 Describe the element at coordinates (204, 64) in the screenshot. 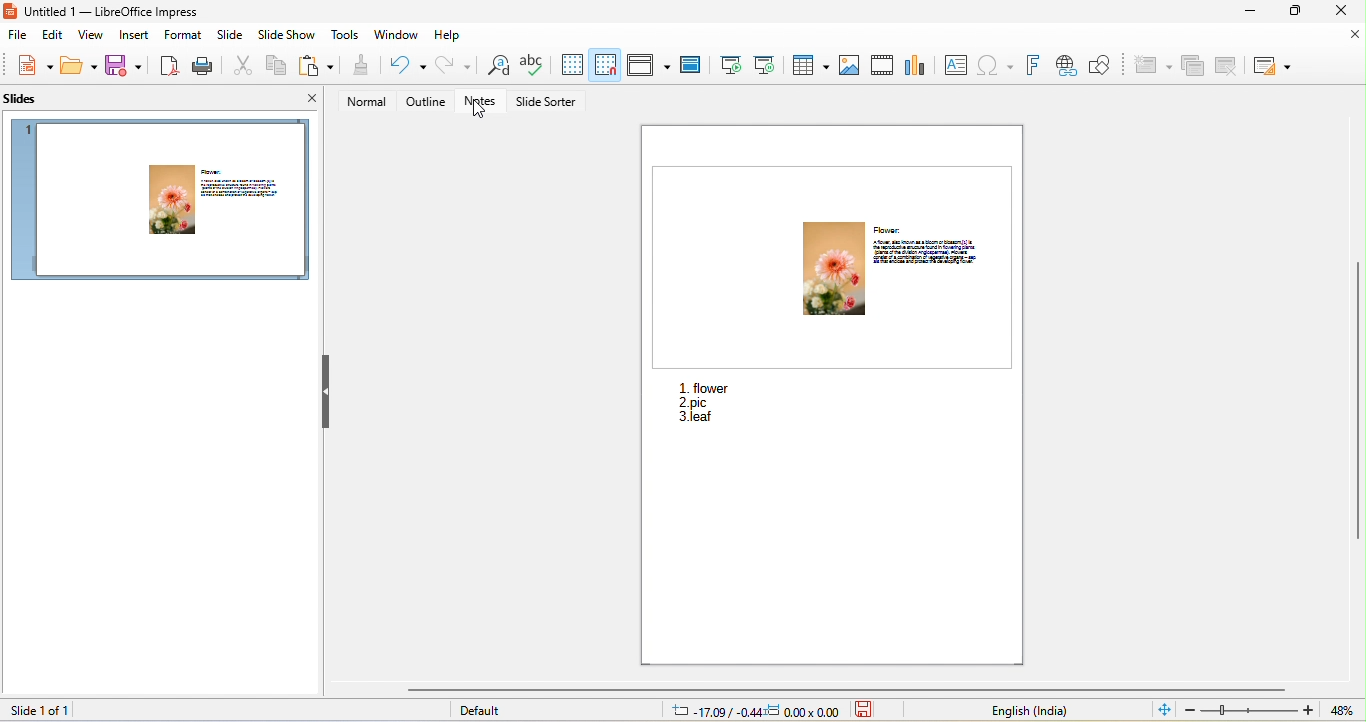

I see `print` at that location.